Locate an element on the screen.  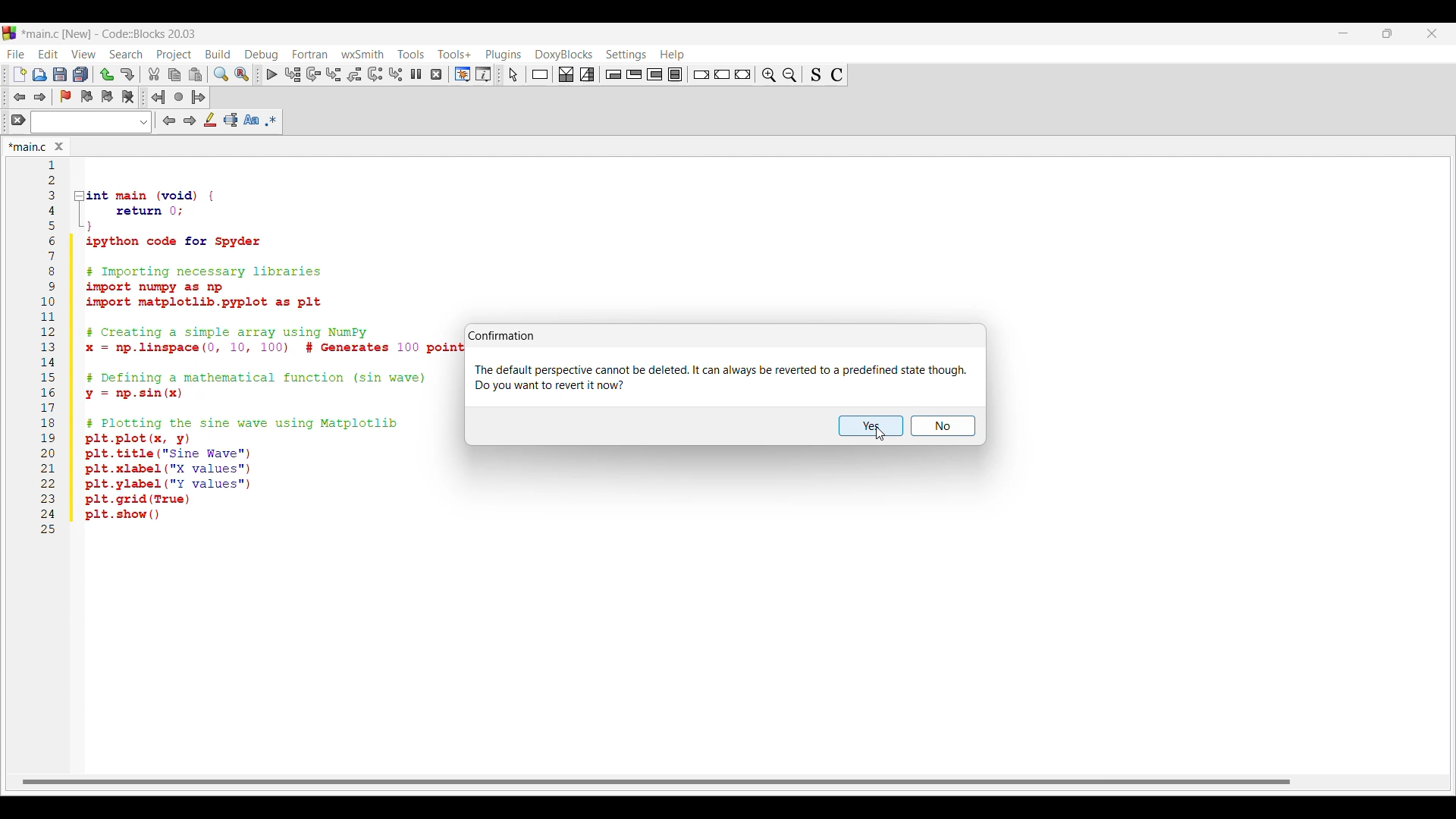
Tools+ menu is located at coordinates (455, 54).